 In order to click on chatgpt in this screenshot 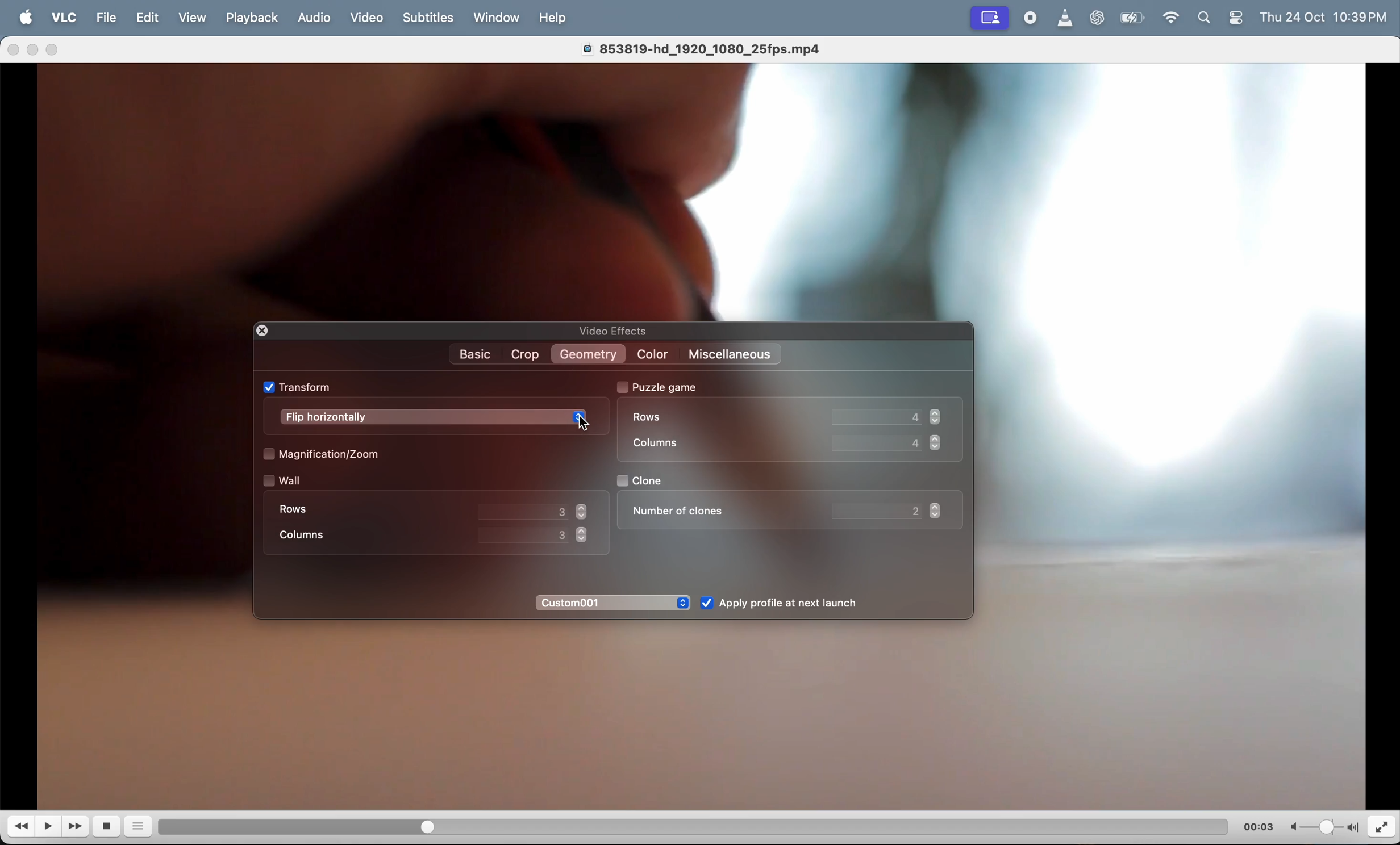, I will do `click(1101, 19)`.